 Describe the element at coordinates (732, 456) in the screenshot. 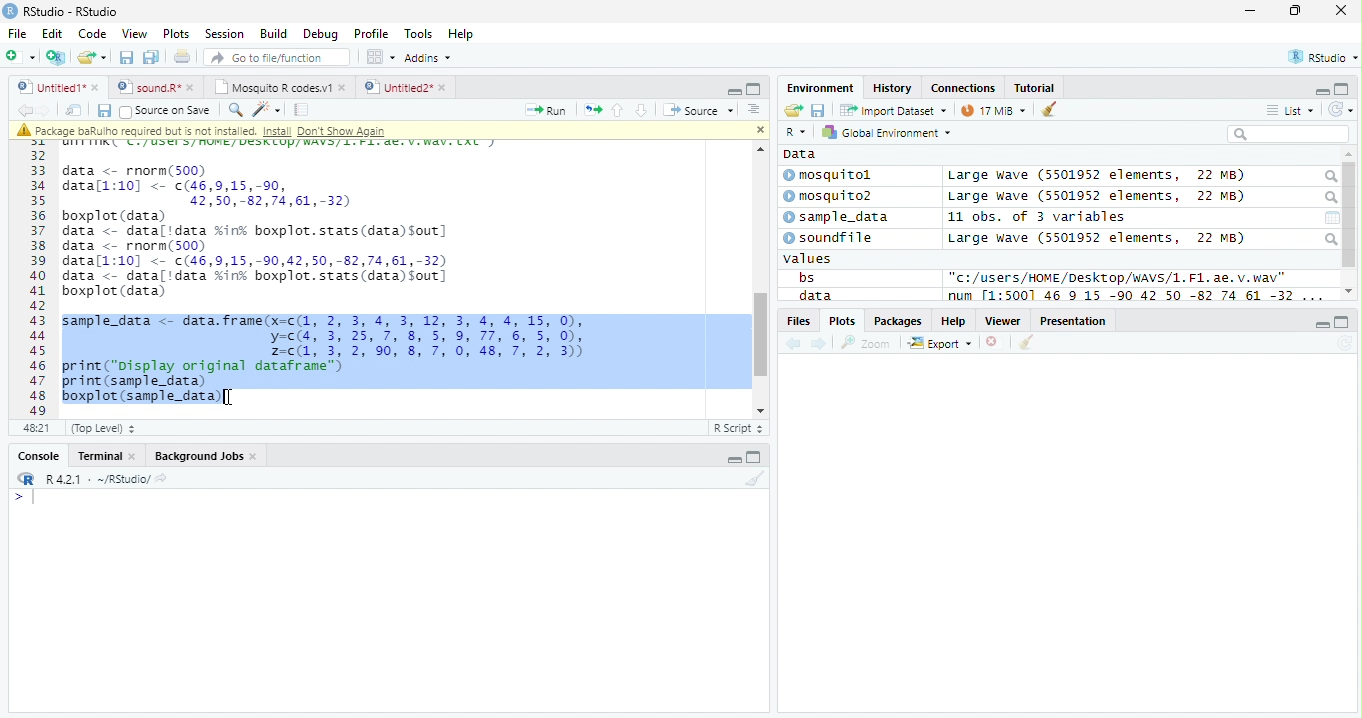

I see `minimize` at that location.